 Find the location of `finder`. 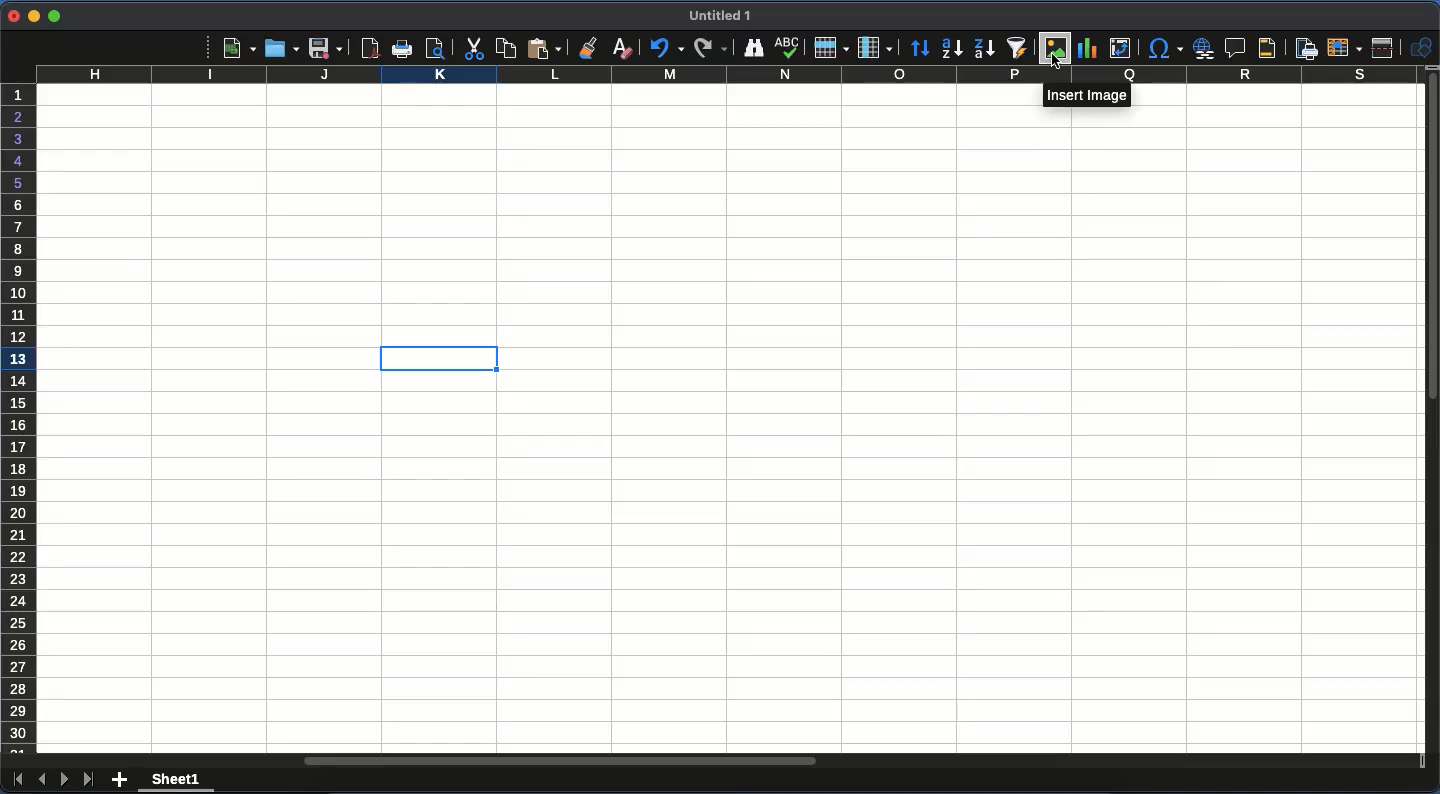

finder is located at coordinates (754, 47).